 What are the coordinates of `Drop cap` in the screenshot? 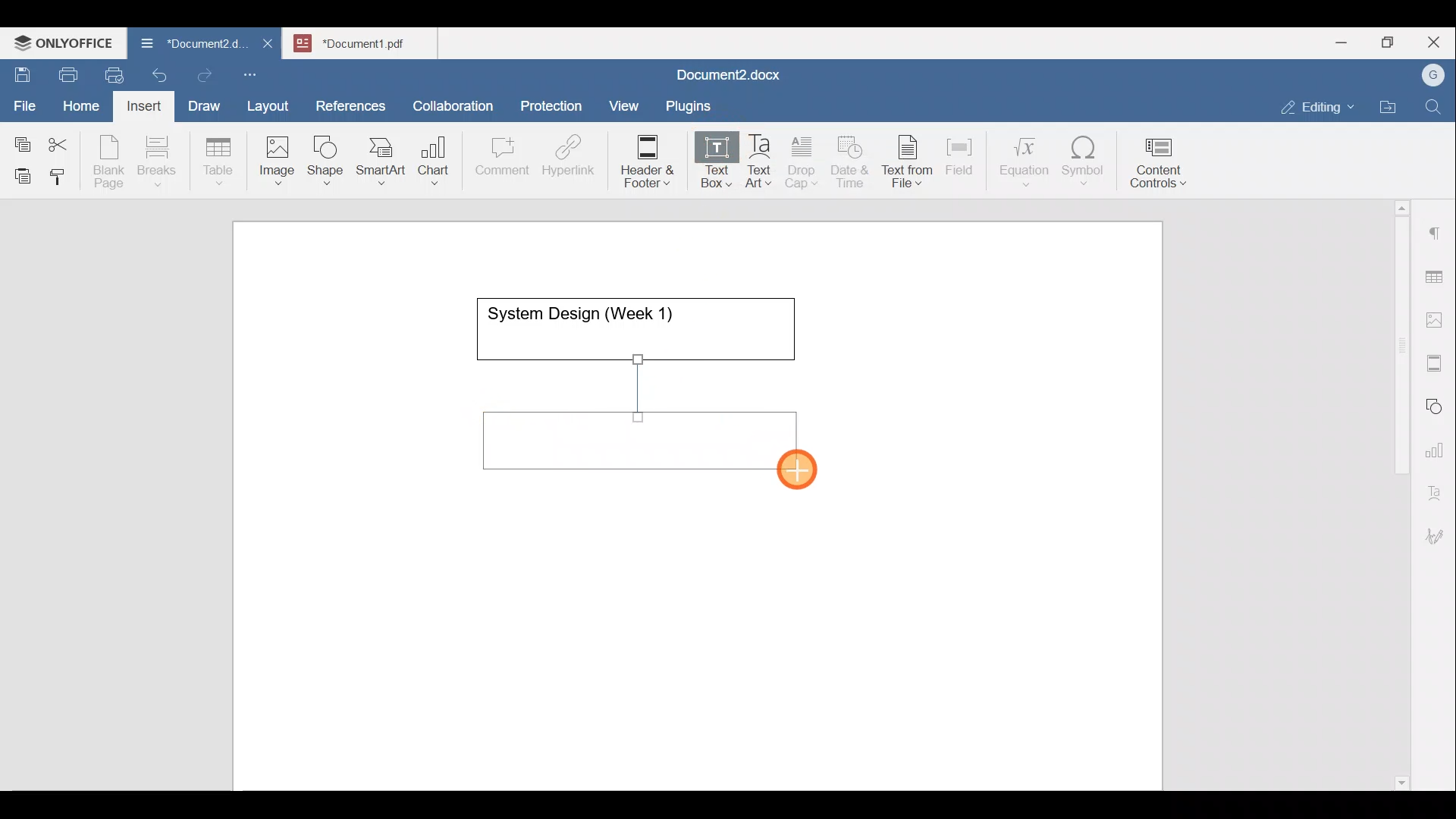 It's located at (805, 160).